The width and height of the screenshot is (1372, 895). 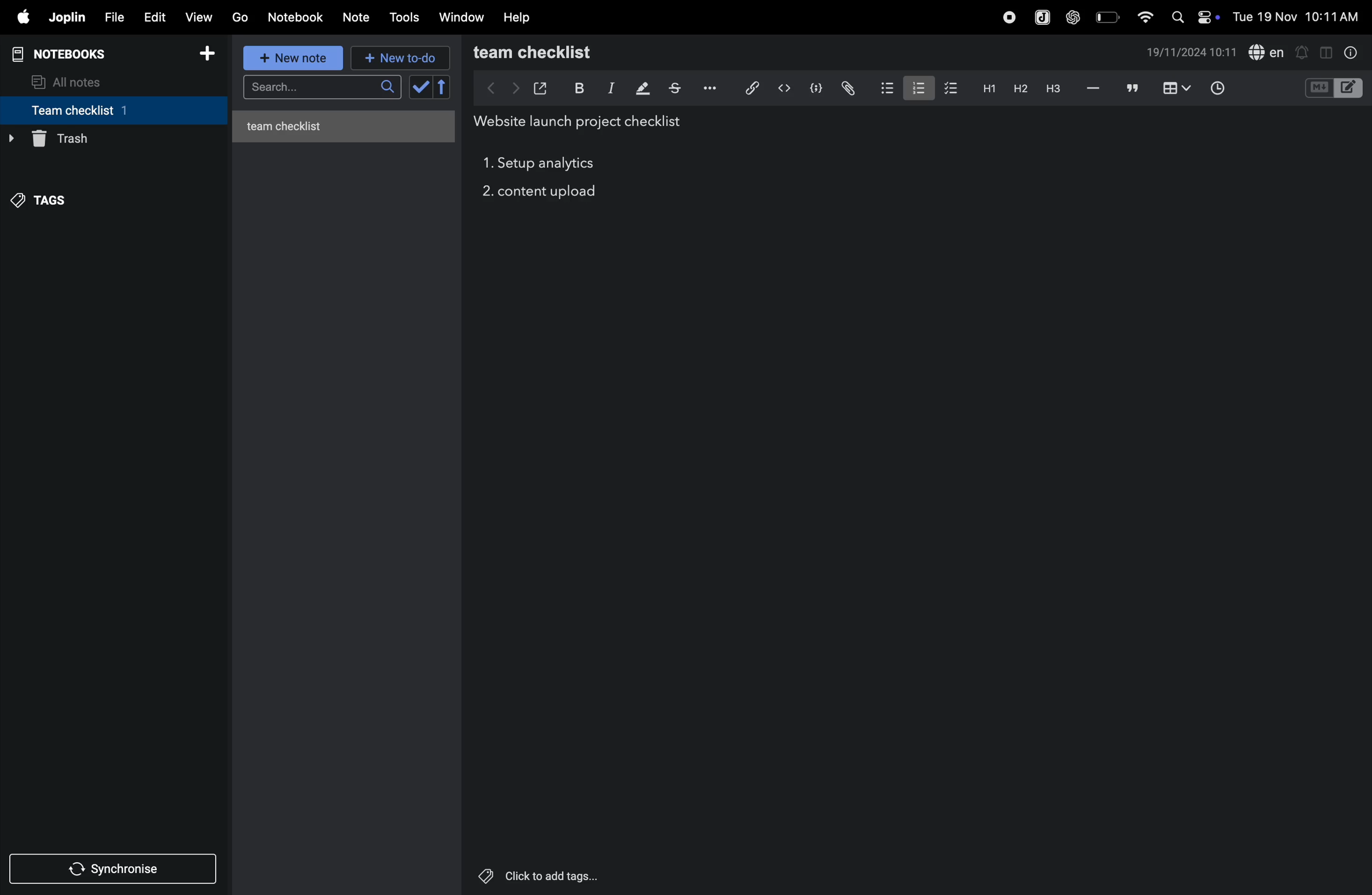 I want to click on help, so click(x=520, y=17).